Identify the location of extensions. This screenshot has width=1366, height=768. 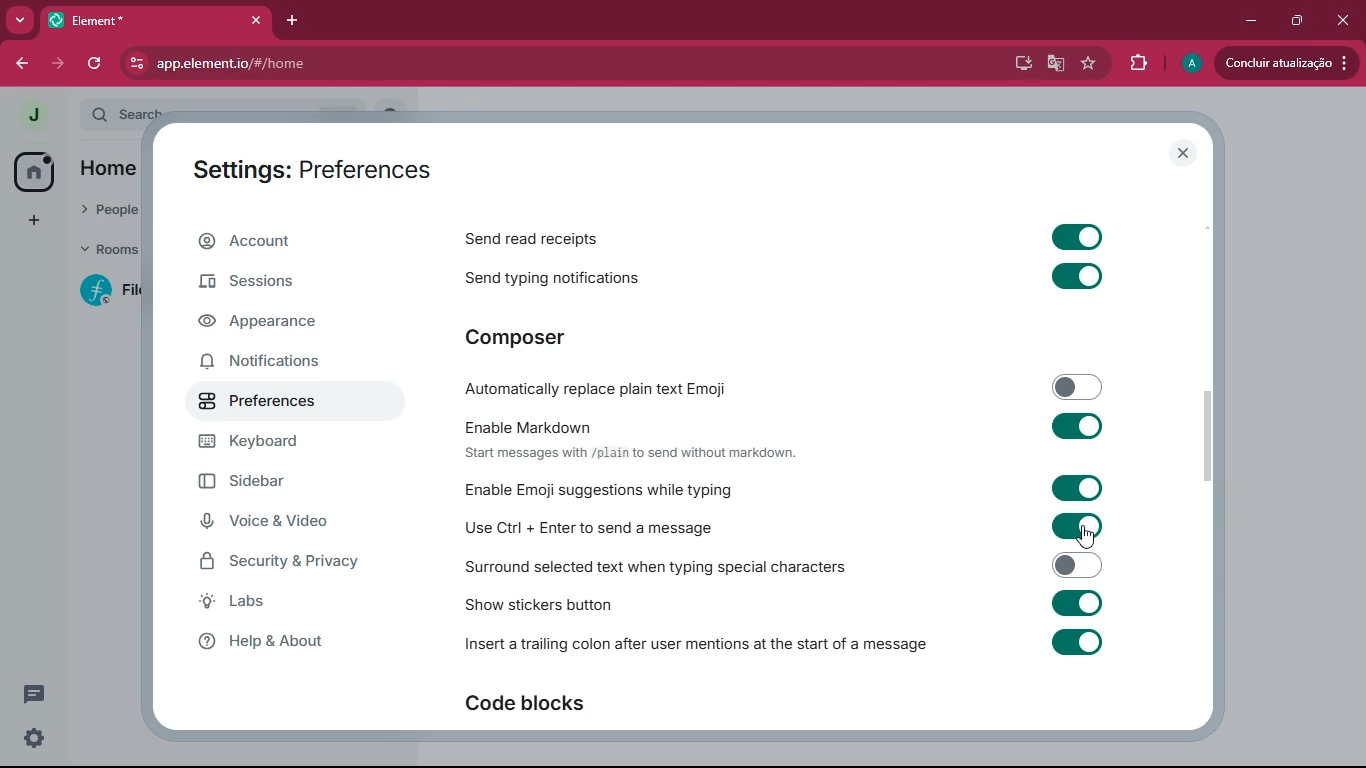
(1137, 63).